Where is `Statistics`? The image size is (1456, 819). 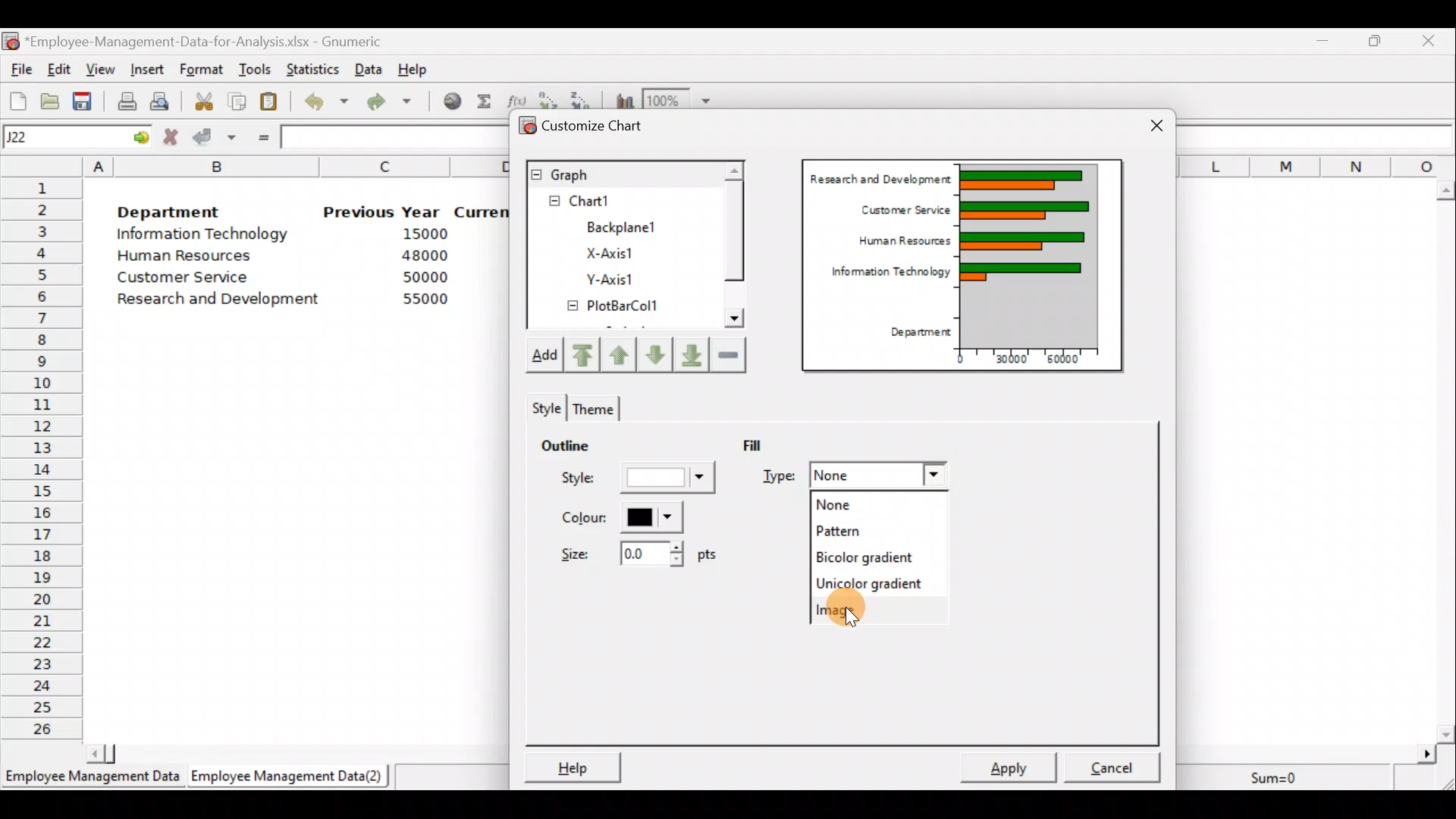
Statistics is located at coordinates (314, 65).